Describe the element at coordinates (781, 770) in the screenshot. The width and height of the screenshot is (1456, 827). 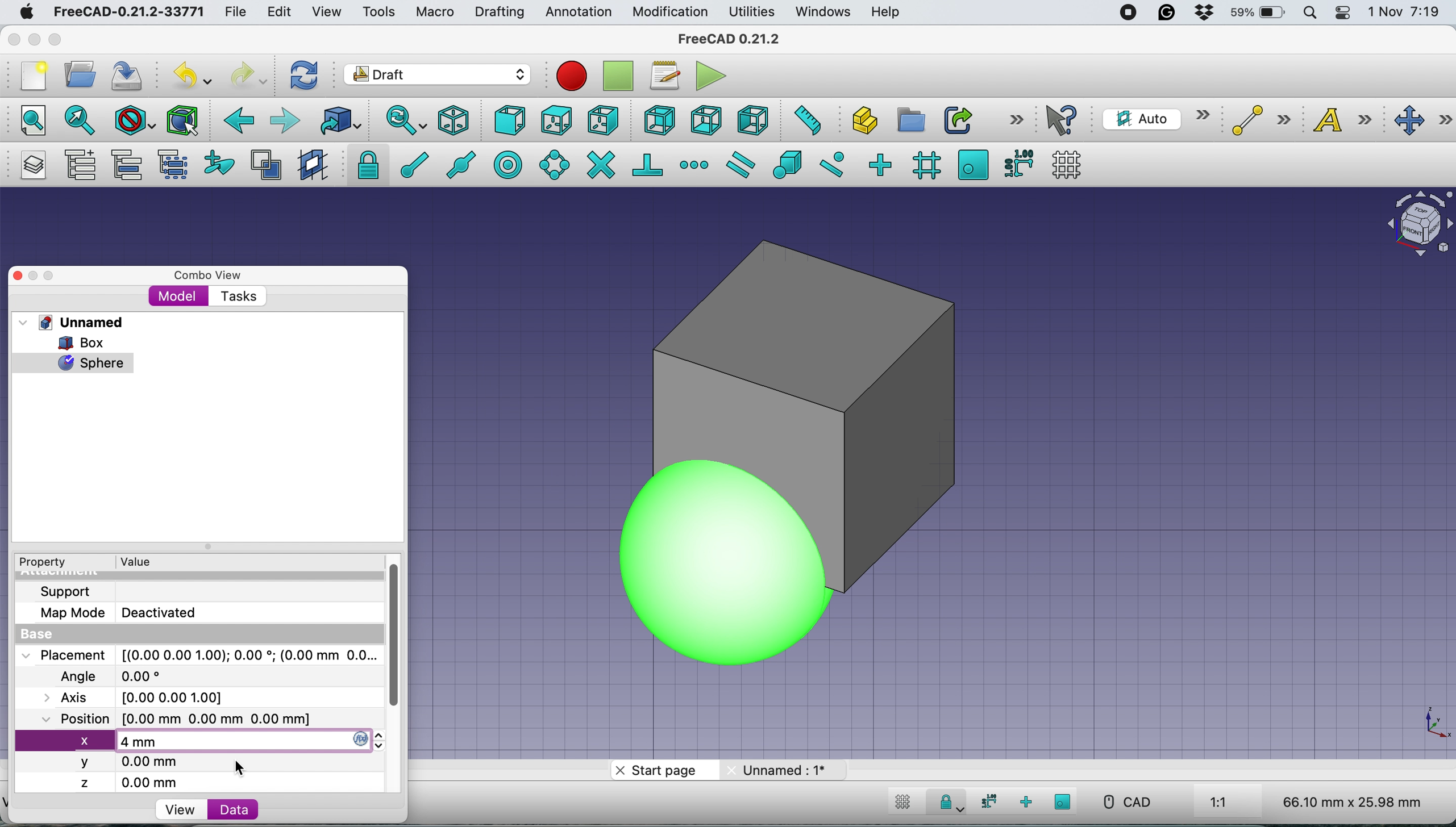
I see `unnamed` at that location.